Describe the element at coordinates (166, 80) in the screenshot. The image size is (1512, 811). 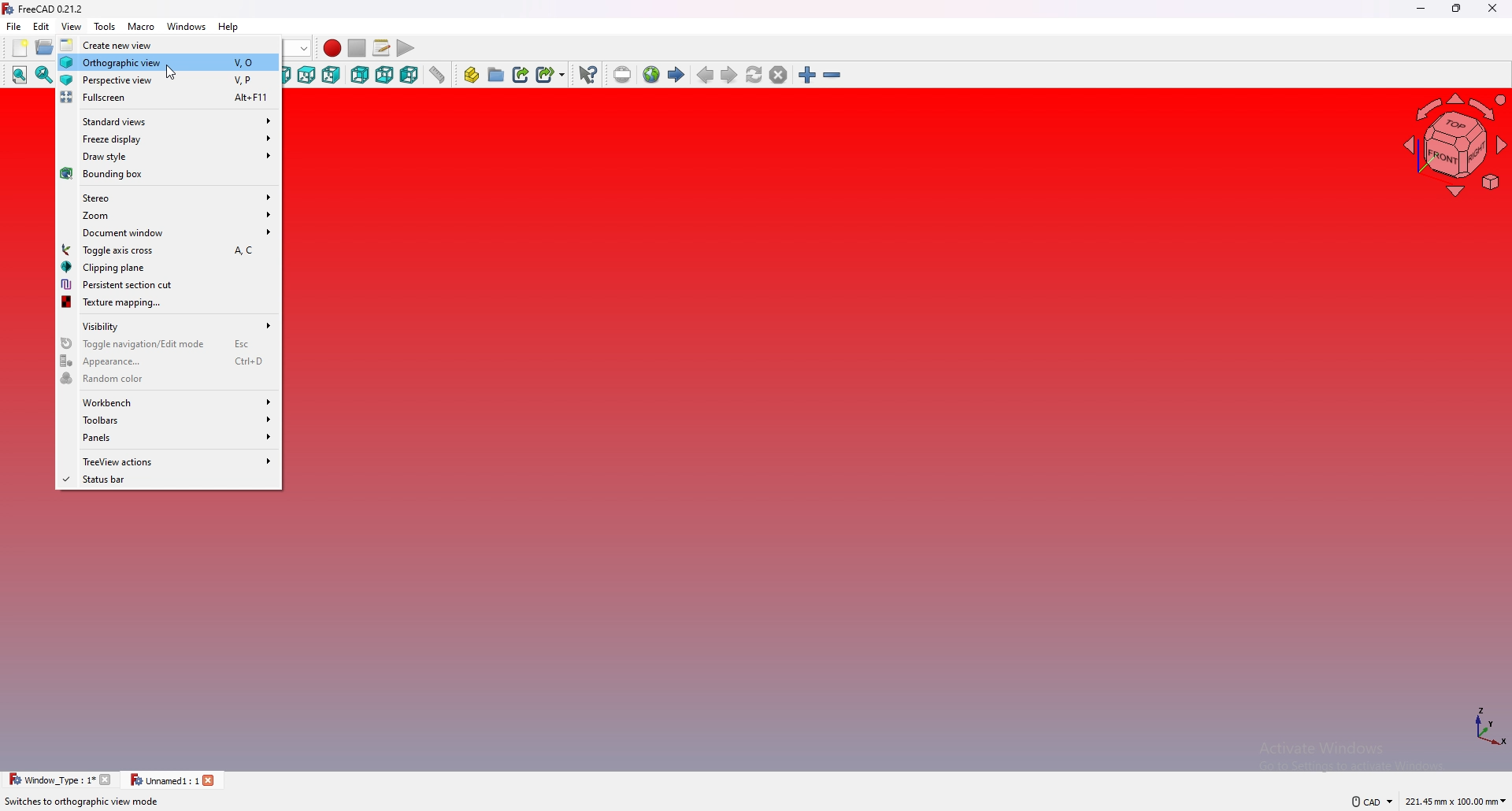
I see `perspective view` at that location.